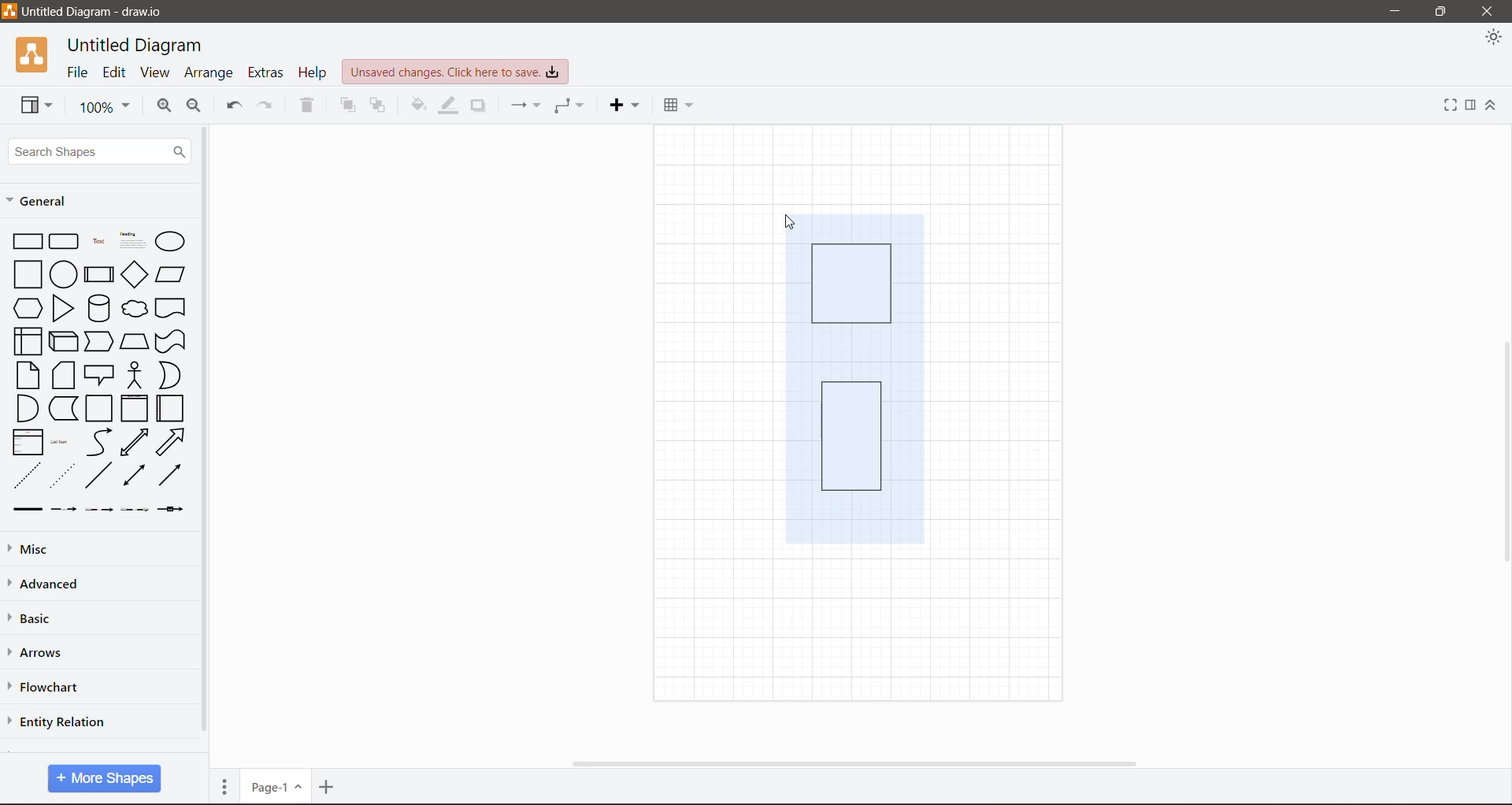 The image size is (1512, 805). Describe the element at coordinates (210, 72) in the screenshot. I see `Arrange` at that location.